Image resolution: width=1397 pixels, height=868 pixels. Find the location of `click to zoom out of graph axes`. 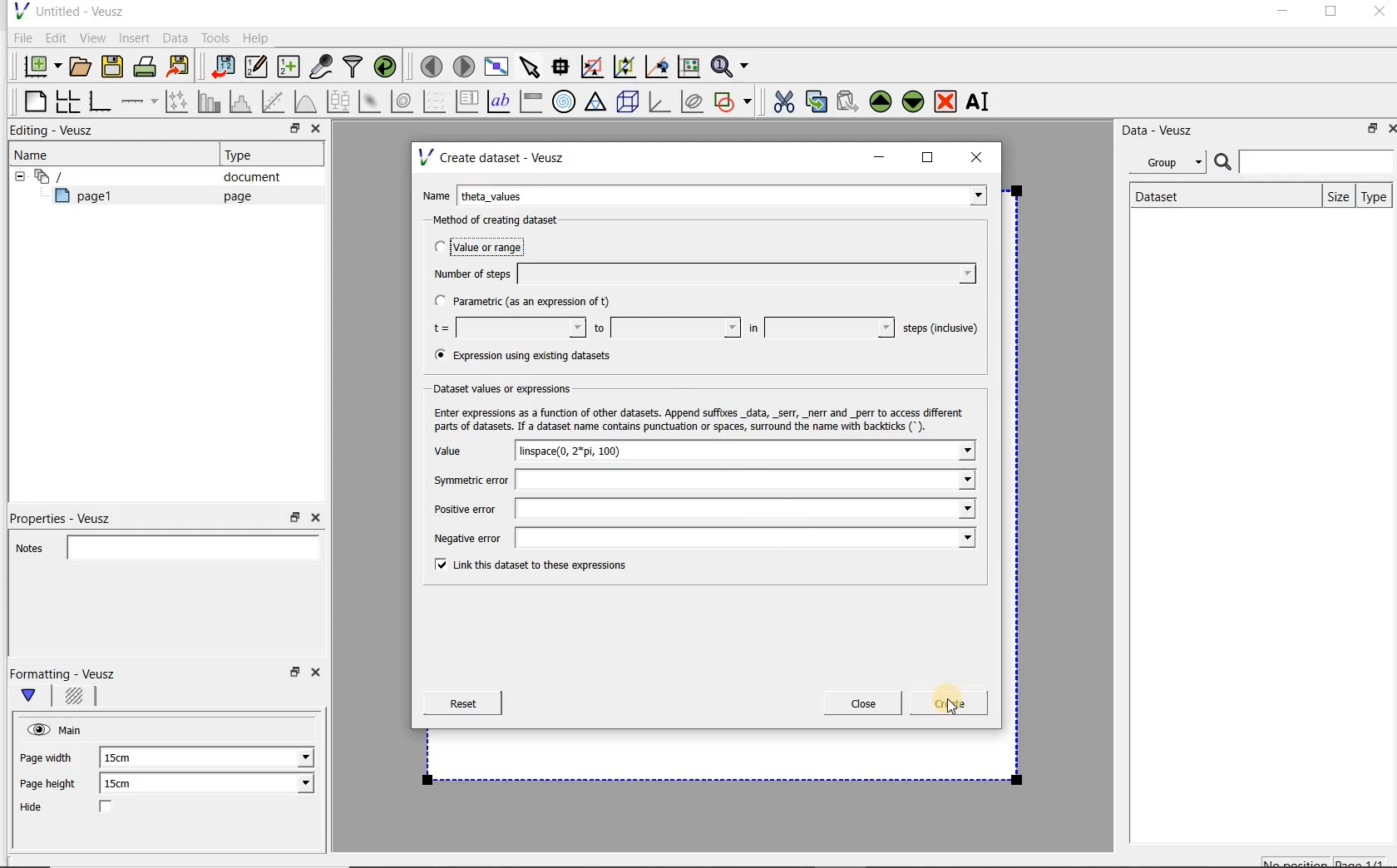

click to zoom out of graph axes is located at coordinates (625, 67).